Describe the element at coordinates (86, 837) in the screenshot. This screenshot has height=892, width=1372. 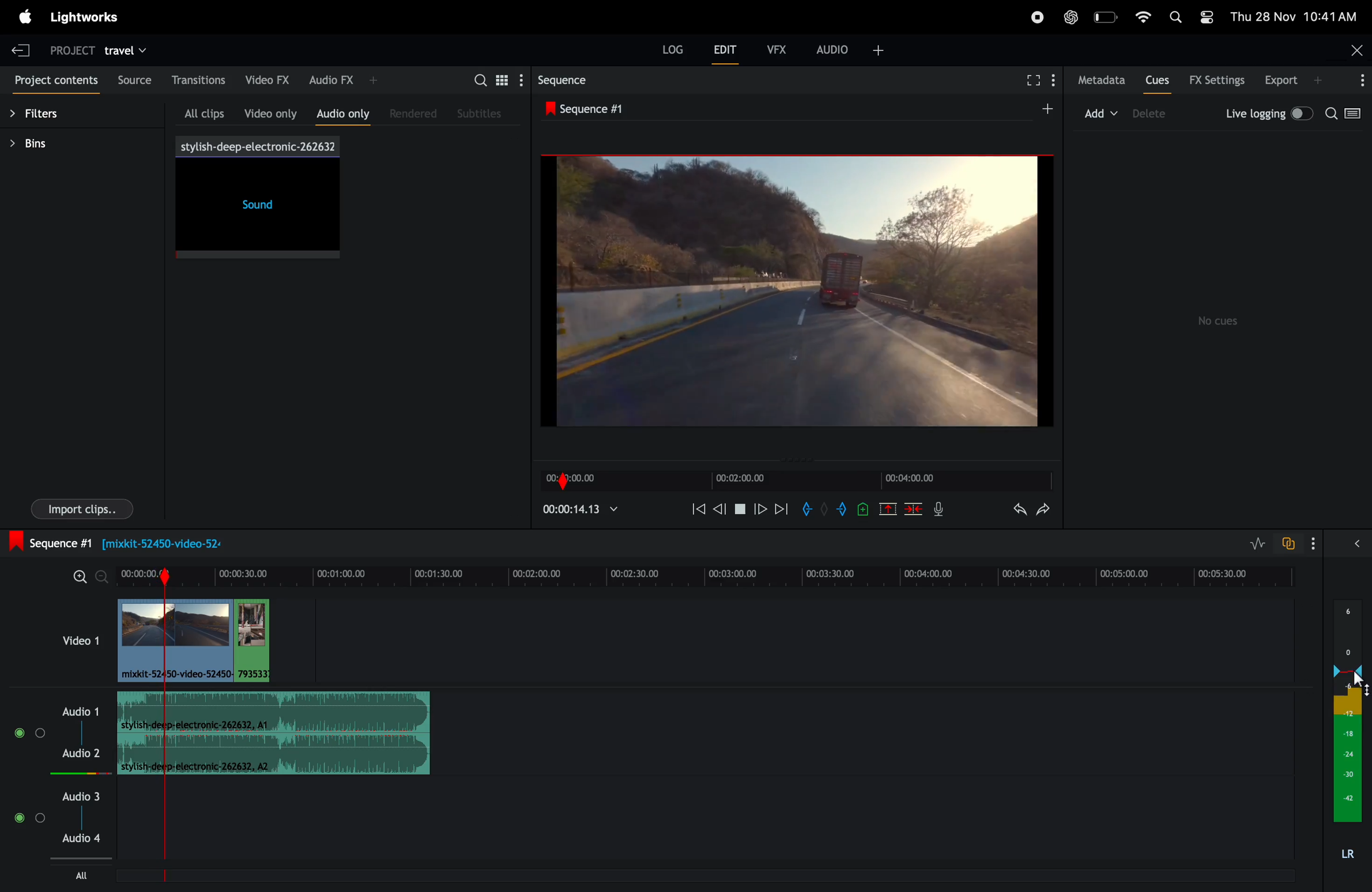
I see `Audio 4` at that location.